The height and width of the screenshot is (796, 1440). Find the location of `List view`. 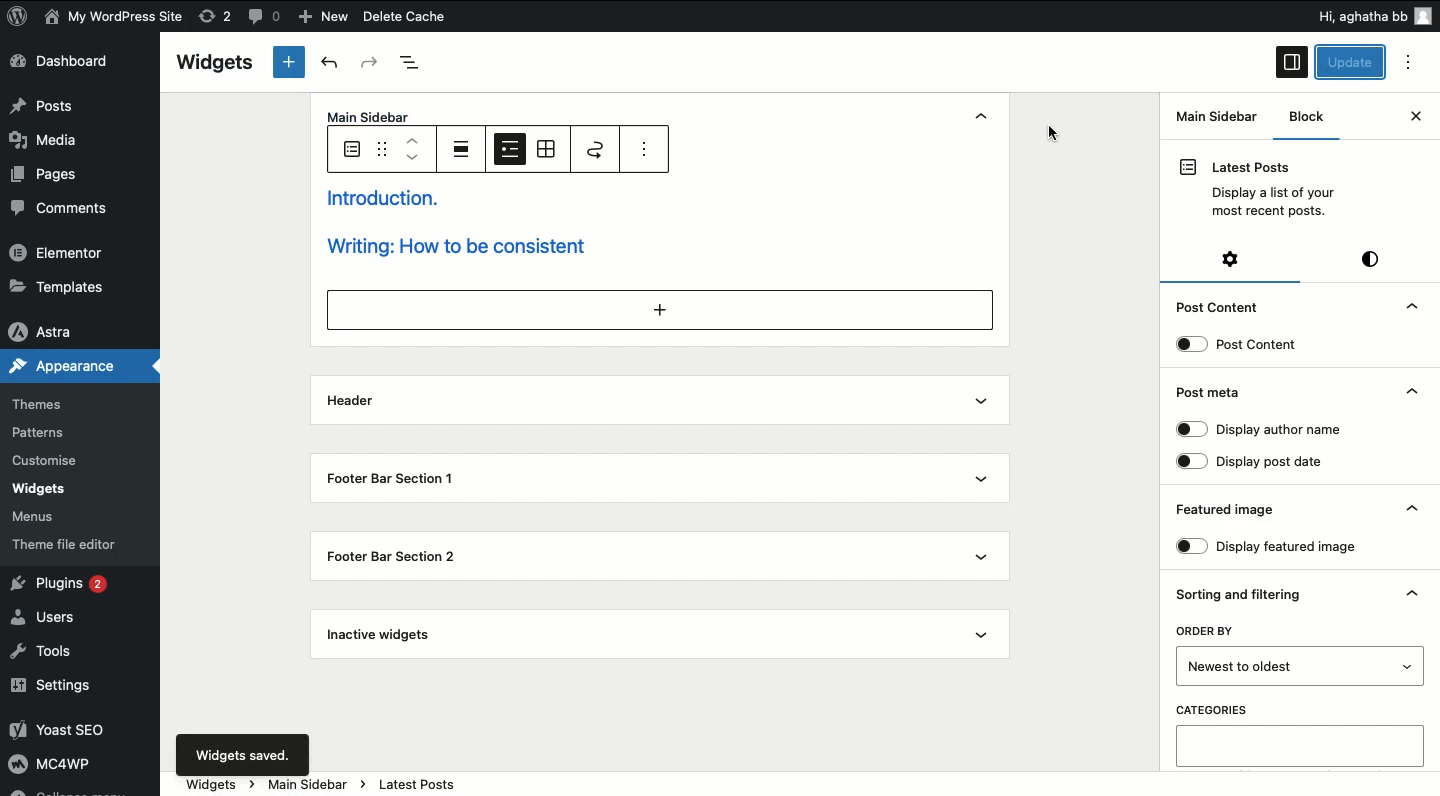

List view is located at coordinates (509, 149).